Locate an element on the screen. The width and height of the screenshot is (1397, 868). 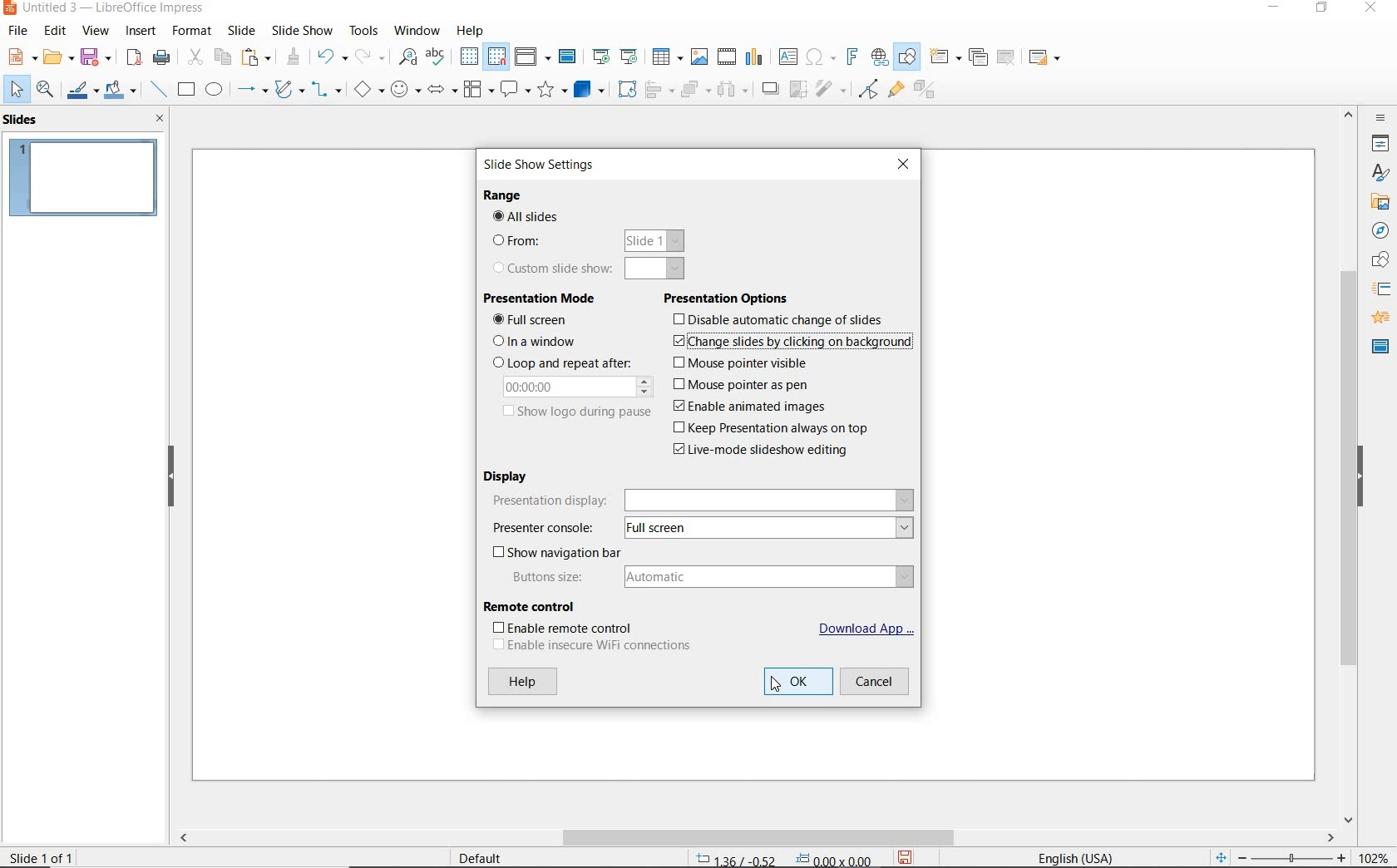
SAVE is located at coordinates (906, 856).